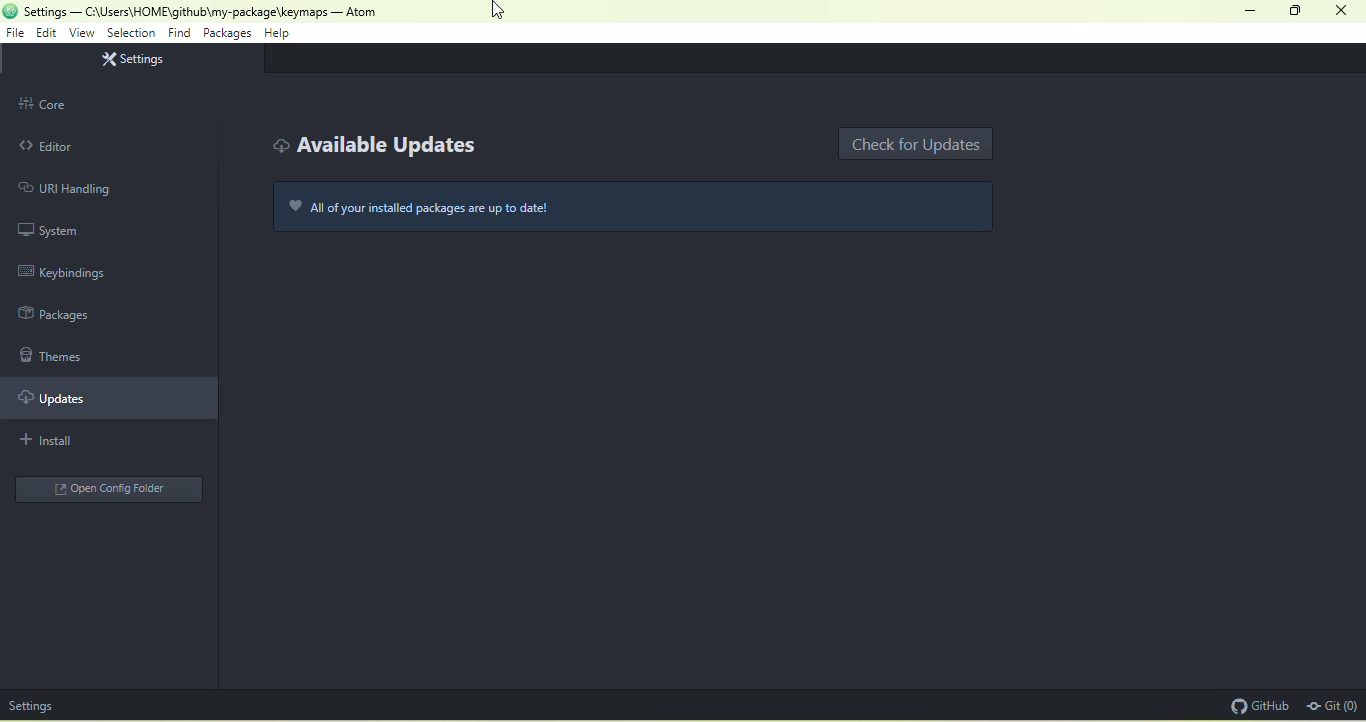 The image size is (1366, 722). Describe the element at coordinates (81, 34) in the screenshot. I see `view` at that location.